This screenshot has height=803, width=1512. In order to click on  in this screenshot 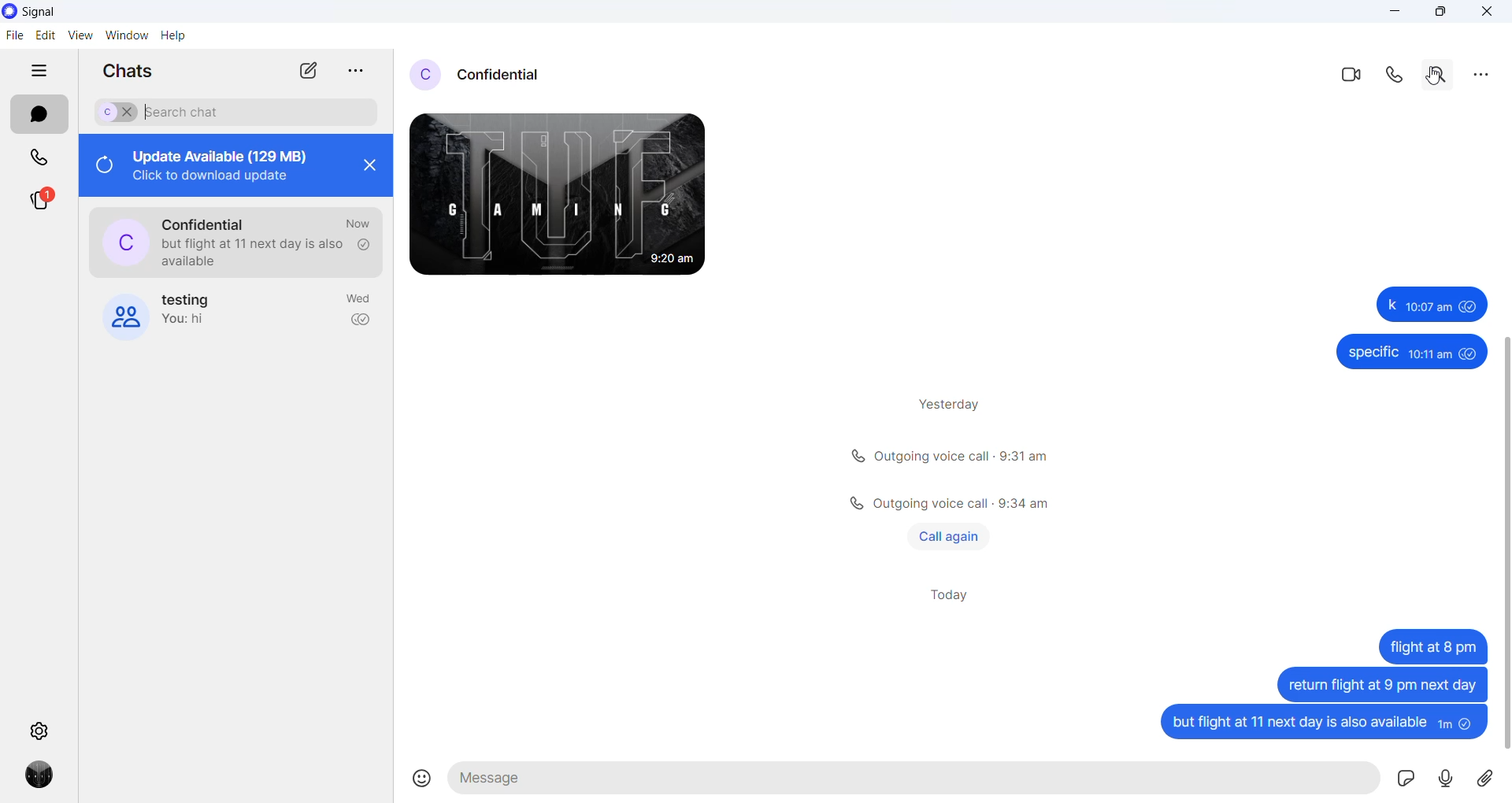, I will do `click(1380, 683)`.